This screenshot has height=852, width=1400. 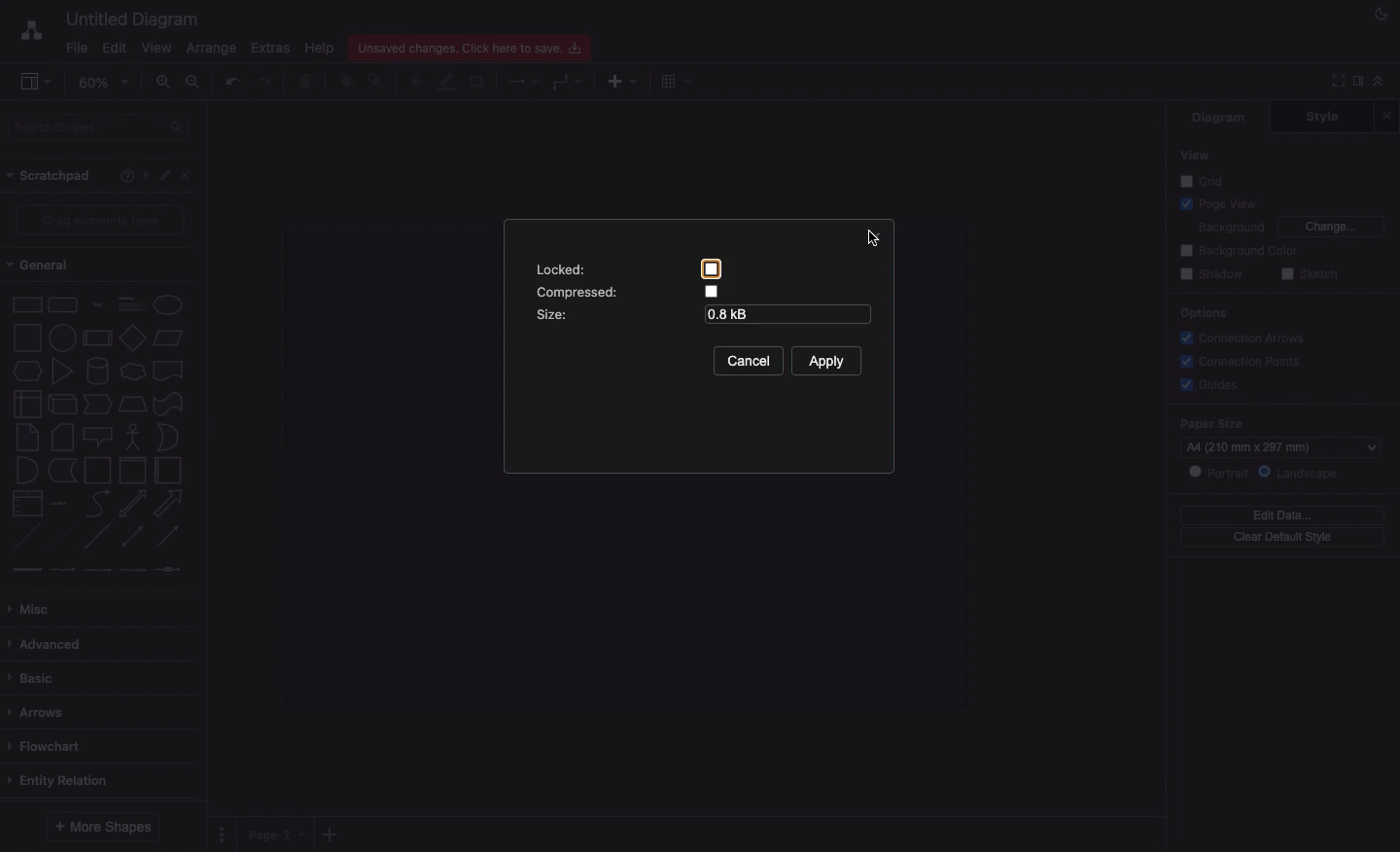 What do you see at coordinates (626, 291) in the screenshot?
I see `Compressed` at bounding box center [626, 291].